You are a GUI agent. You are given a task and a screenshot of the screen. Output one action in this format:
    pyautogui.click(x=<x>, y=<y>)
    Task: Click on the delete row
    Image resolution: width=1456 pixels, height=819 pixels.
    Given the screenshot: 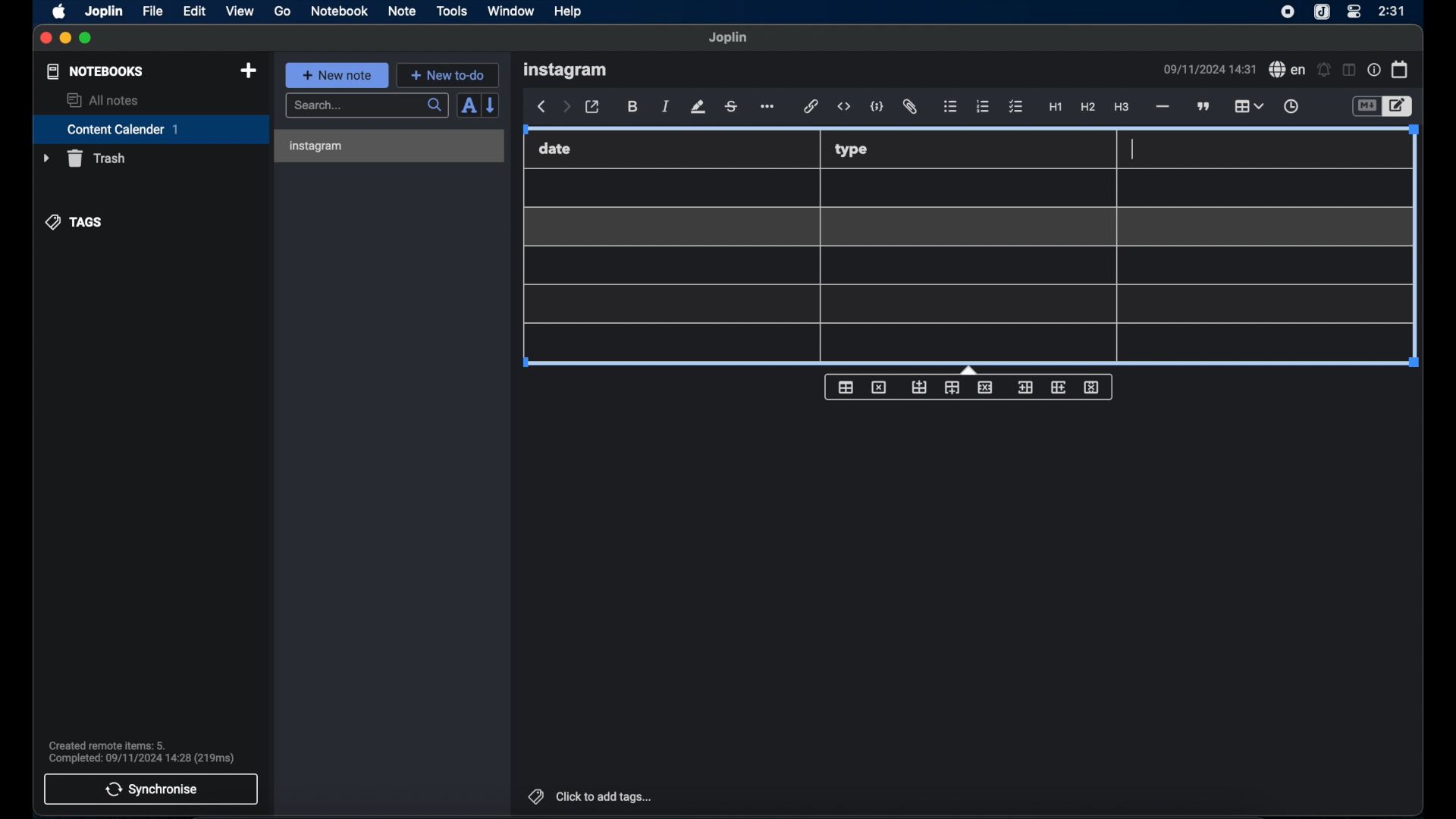 What is the action you would take?
    pyautogui.click(x=984, y=387)
    